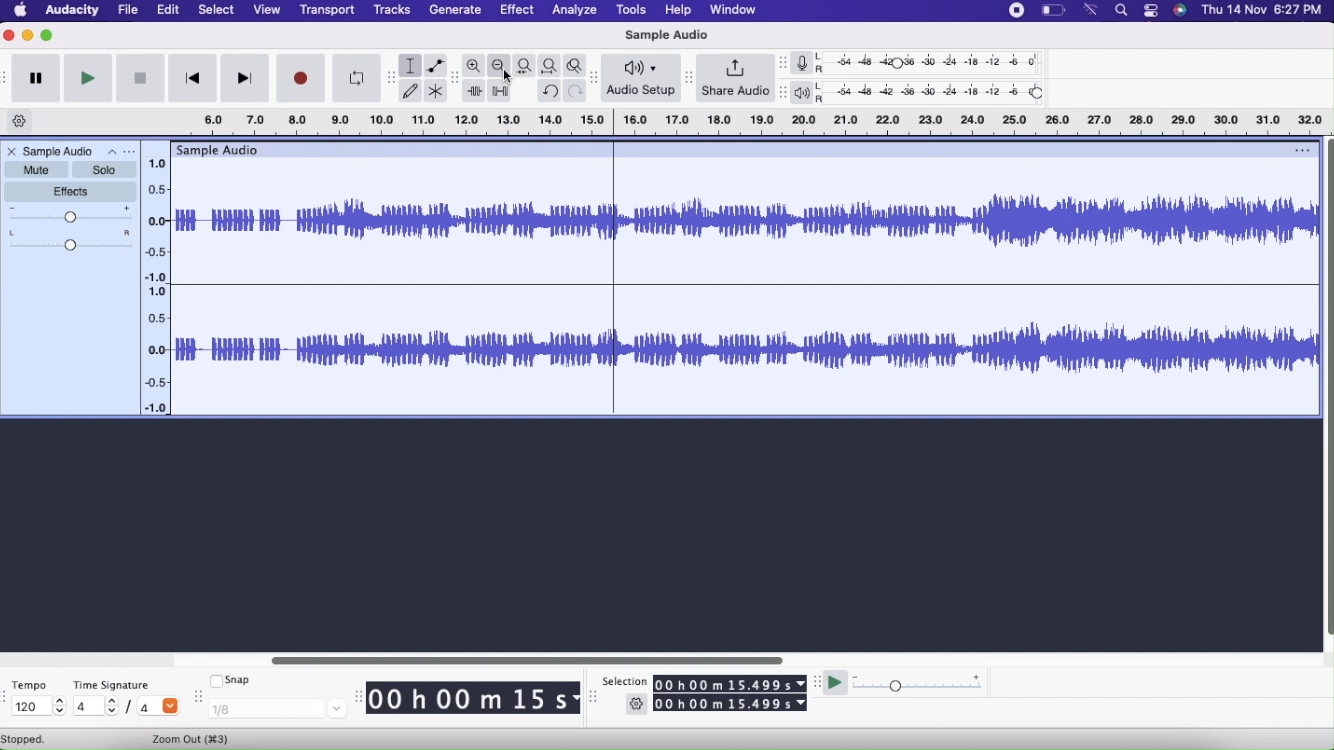 The height and width of the screenshot is (750, 1334). I want to click on Share Audio, so click(736, 78).